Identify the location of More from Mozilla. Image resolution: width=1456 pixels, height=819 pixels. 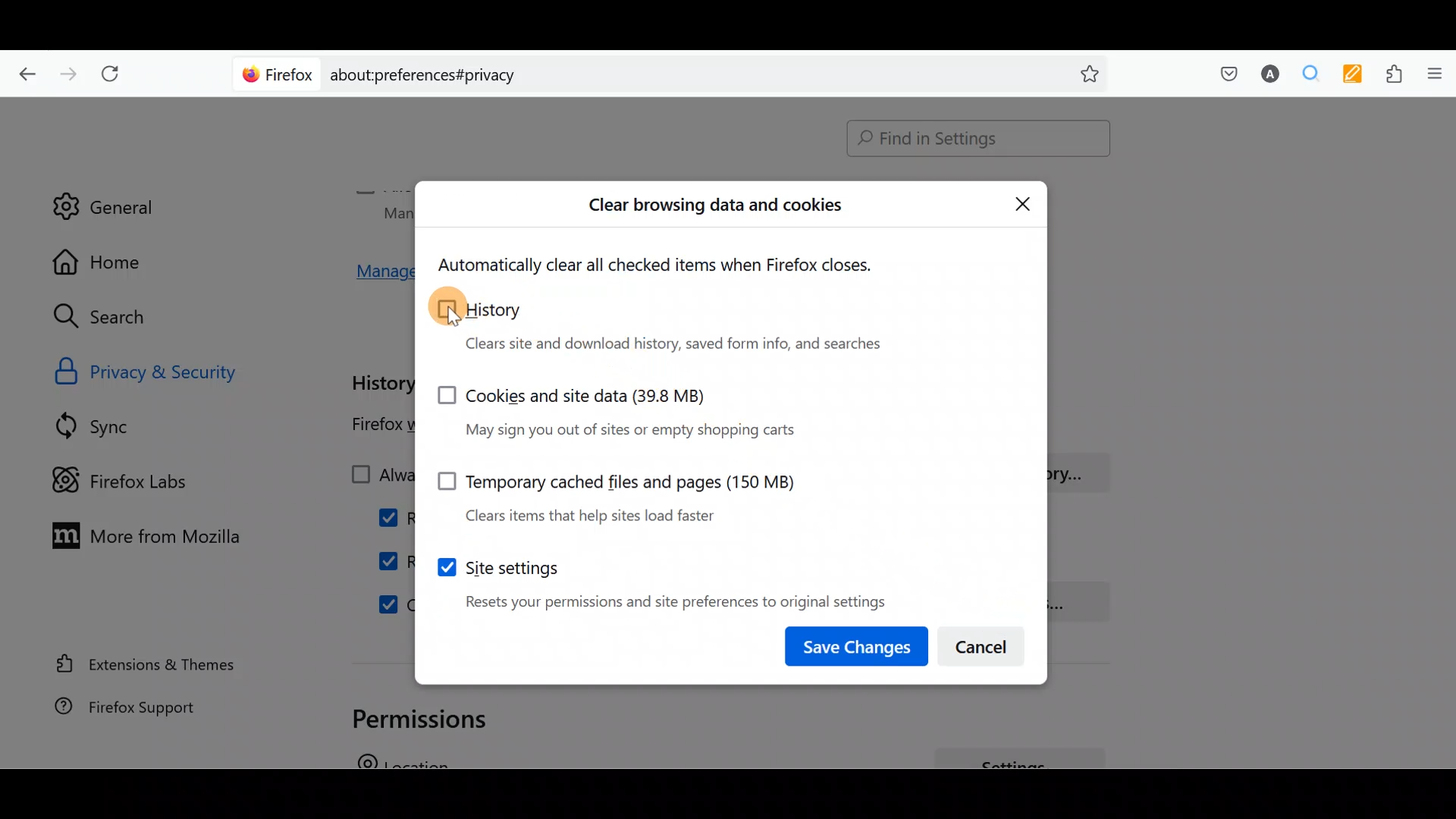
(139, 534).